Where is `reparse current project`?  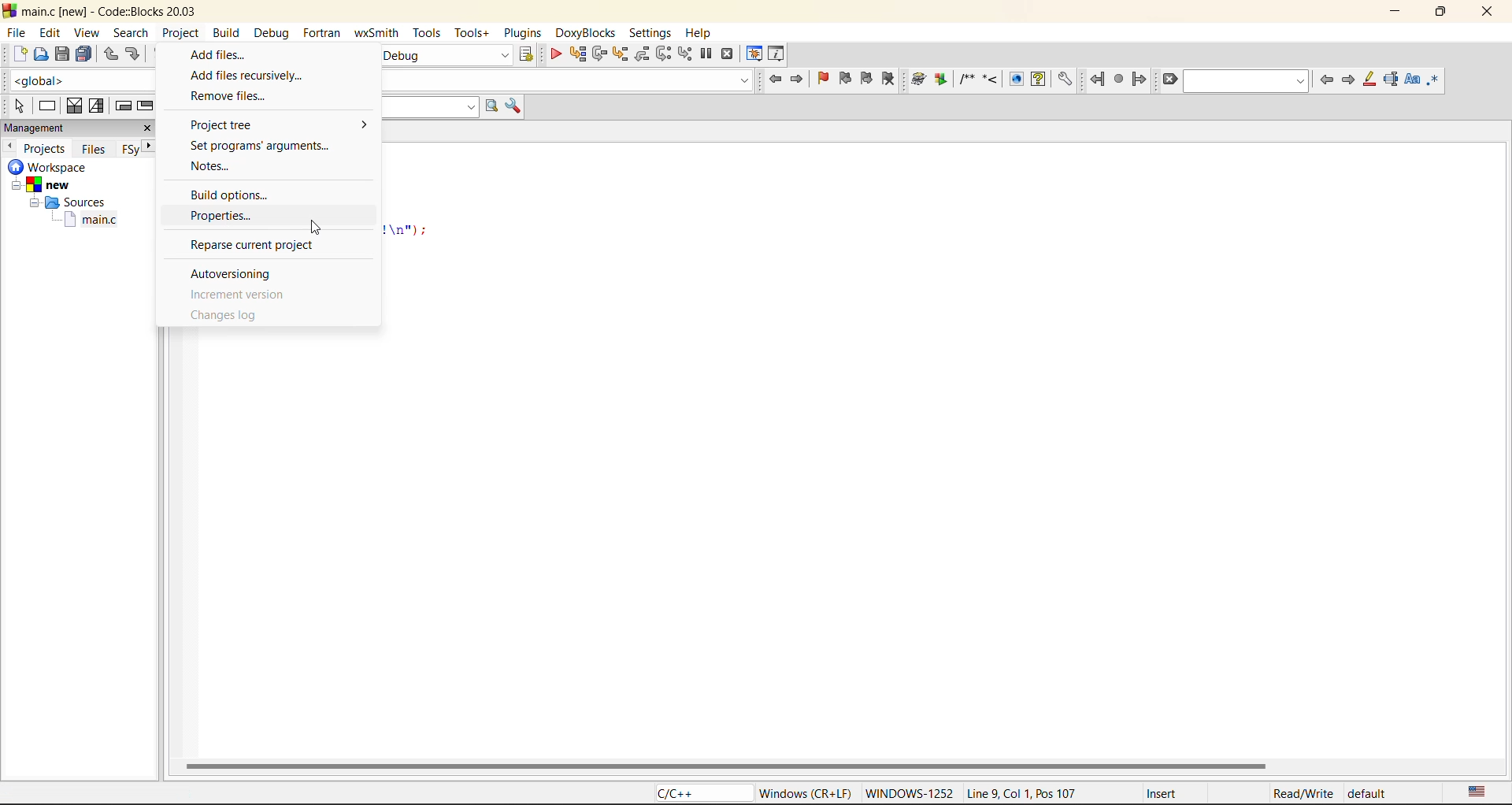
reparse current project is located at coordinates (247, 244).